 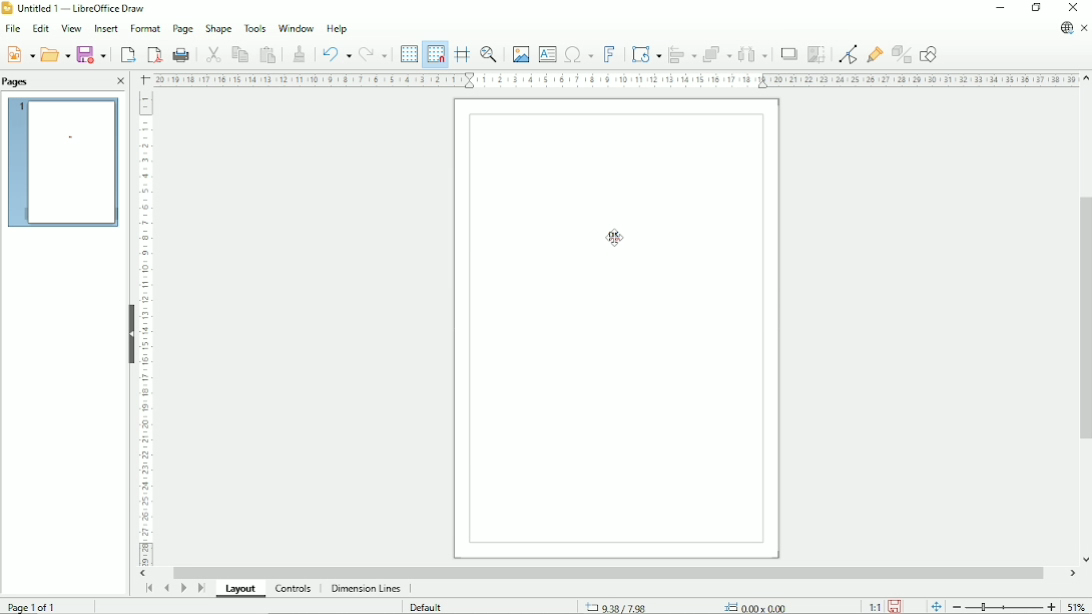 I want to click on Paste, so click(x=269, y=54).